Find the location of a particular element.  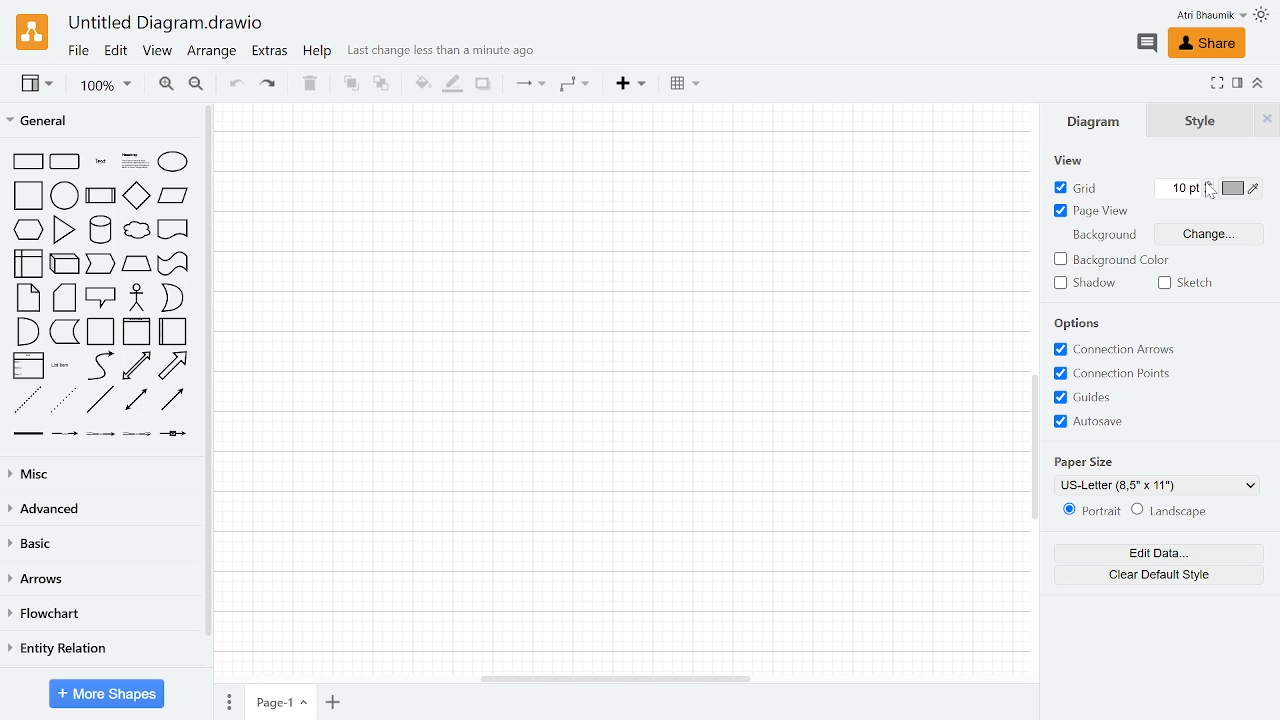

Fullsreen is located at coordinates (1217, 84).